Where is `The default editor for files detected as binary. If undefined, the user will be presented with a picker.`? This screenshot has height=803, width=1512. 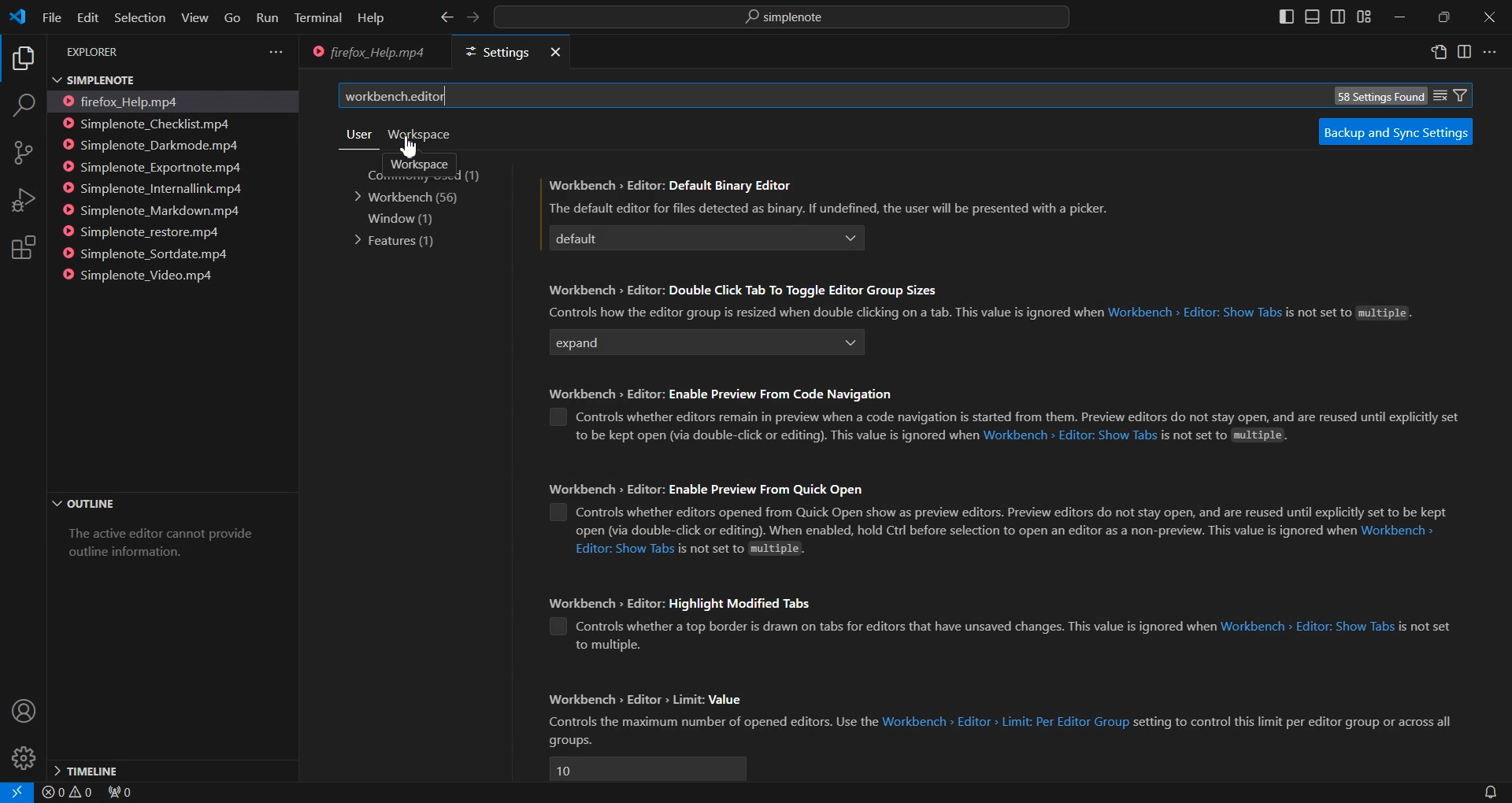 The default editor for files detected as binary. If undefined, the user will be presented with a picker. is located at coordinates (828, 207).